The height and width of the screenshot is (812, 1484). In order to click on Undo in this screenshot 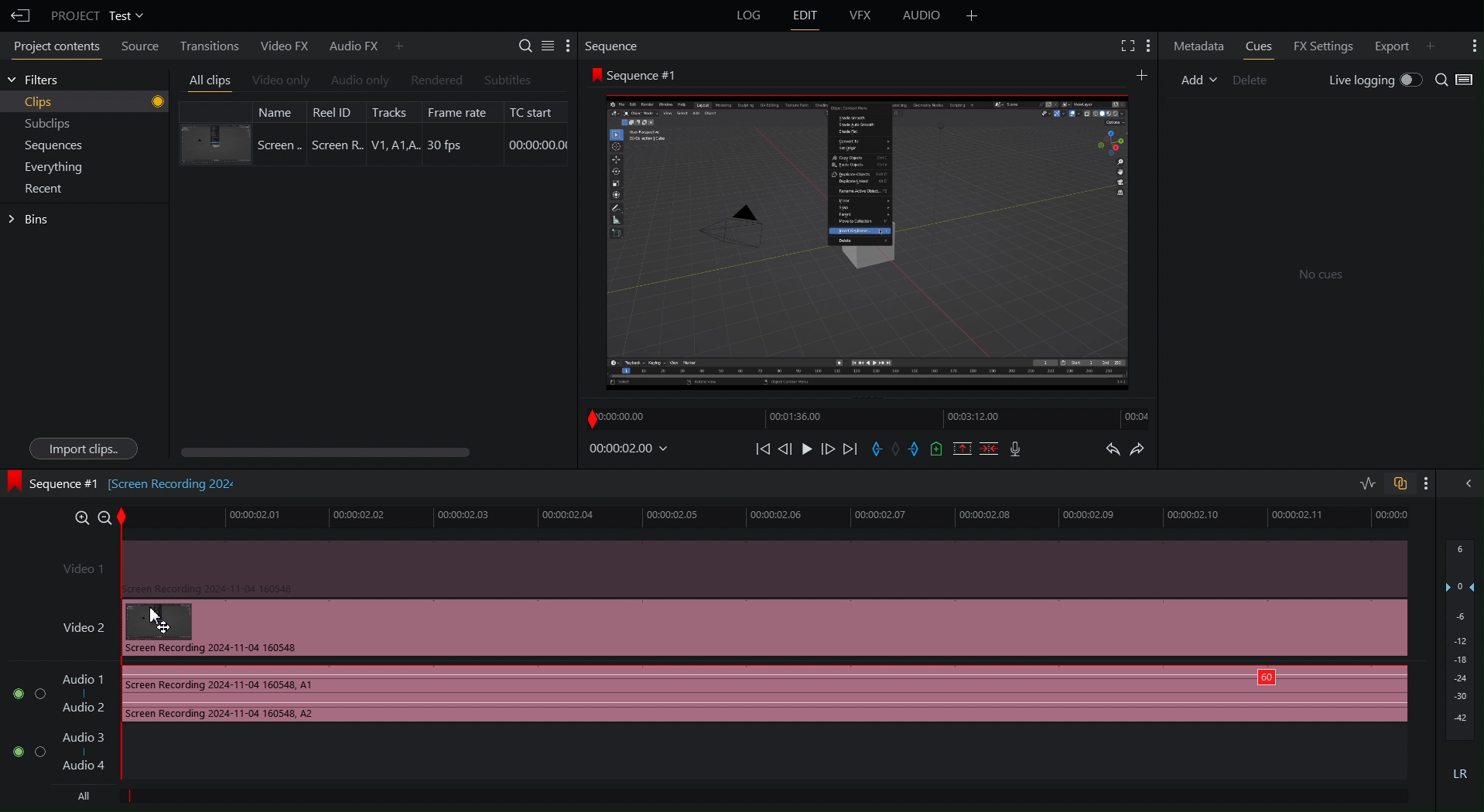, I will do `click(1112, 450)`.